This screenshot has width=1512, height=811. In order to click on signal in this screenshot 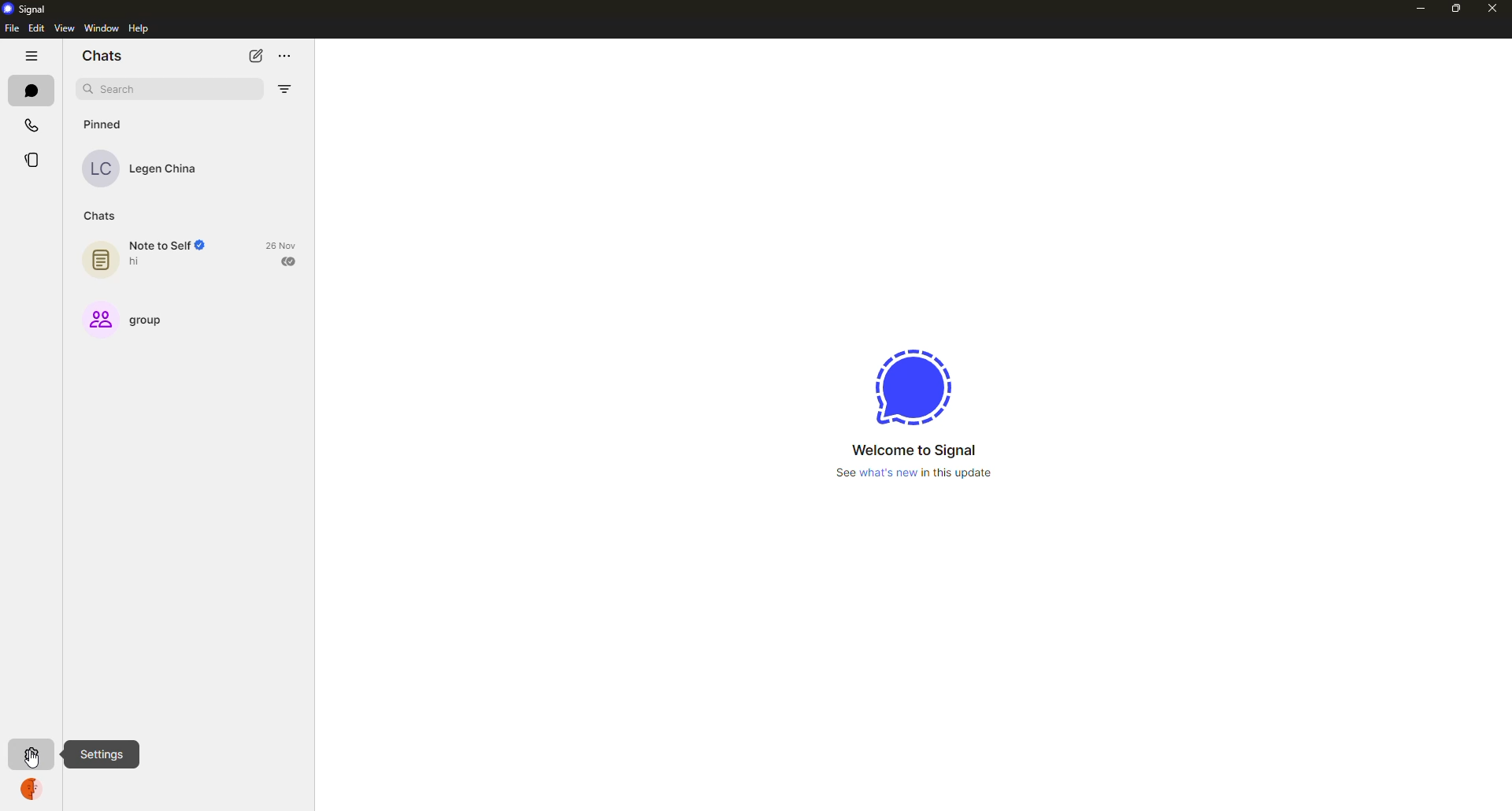, I will do `click(909, 389)`.